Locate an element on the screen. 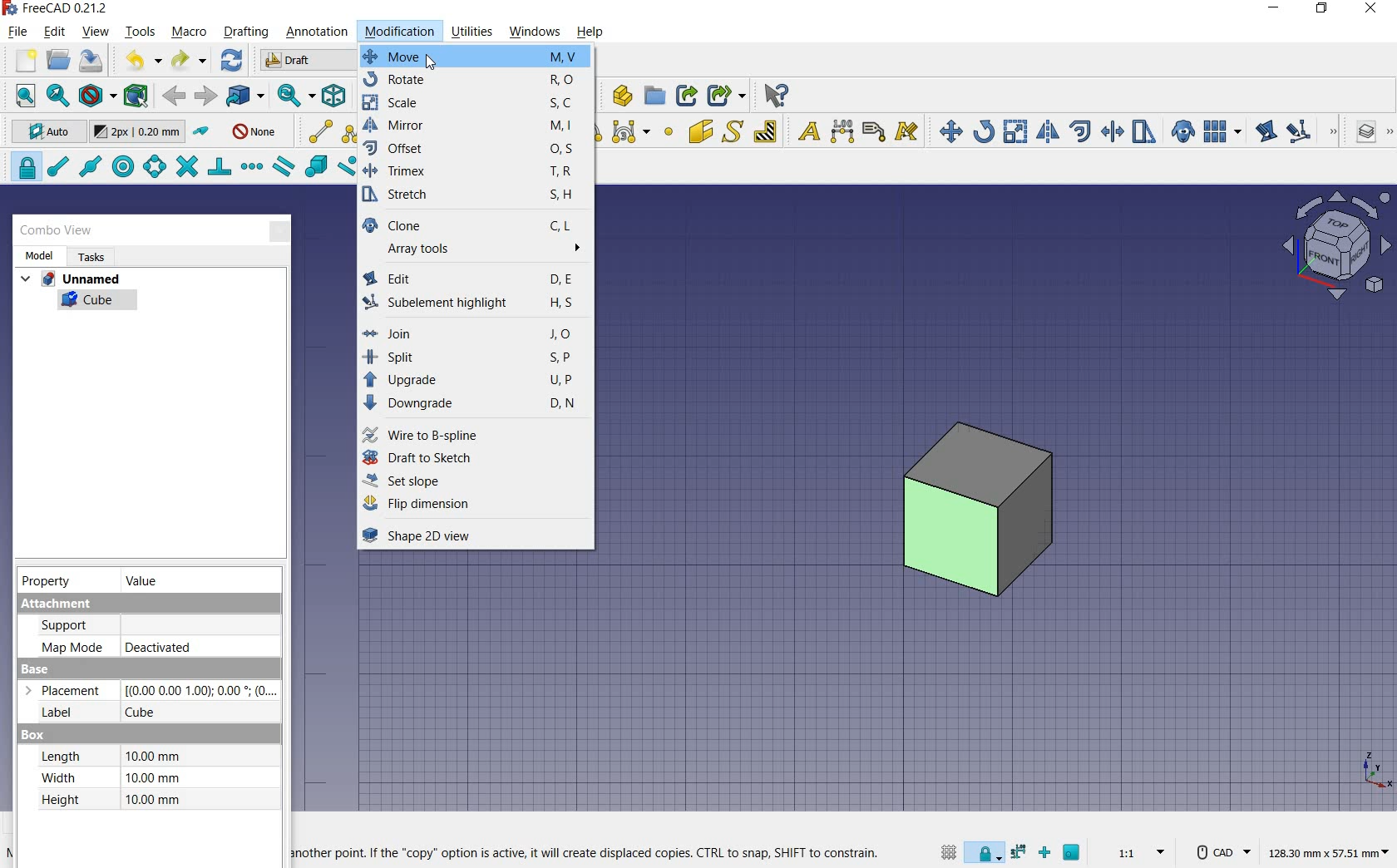 The width and height of the screenshot is (1397, 868). Placement is located at coordinates (68, 691).